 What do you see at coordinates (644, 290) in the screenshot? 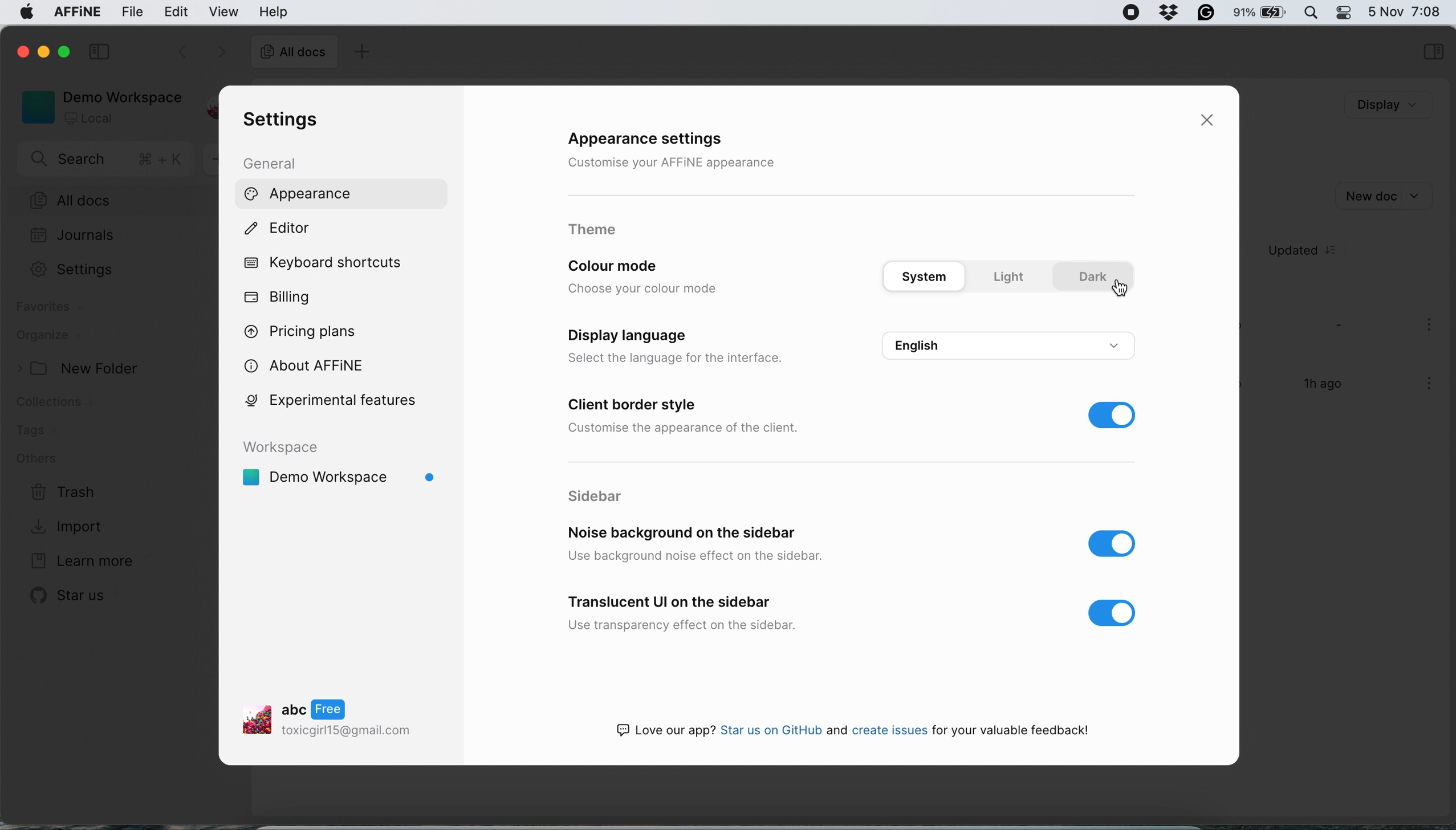
I see `choose your colour mode` at bounding box center [644, 290].